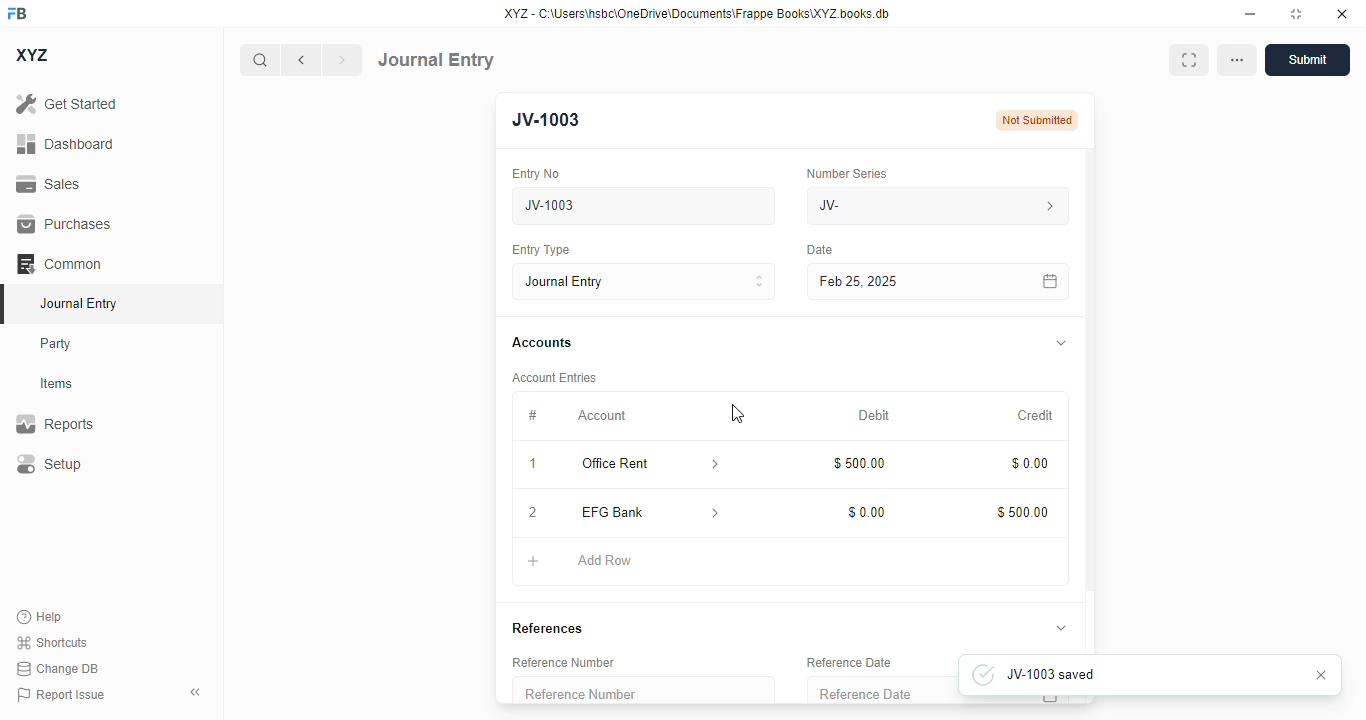 The image size is (1366, 720). I want to click on XYZ, so click(33, 55).